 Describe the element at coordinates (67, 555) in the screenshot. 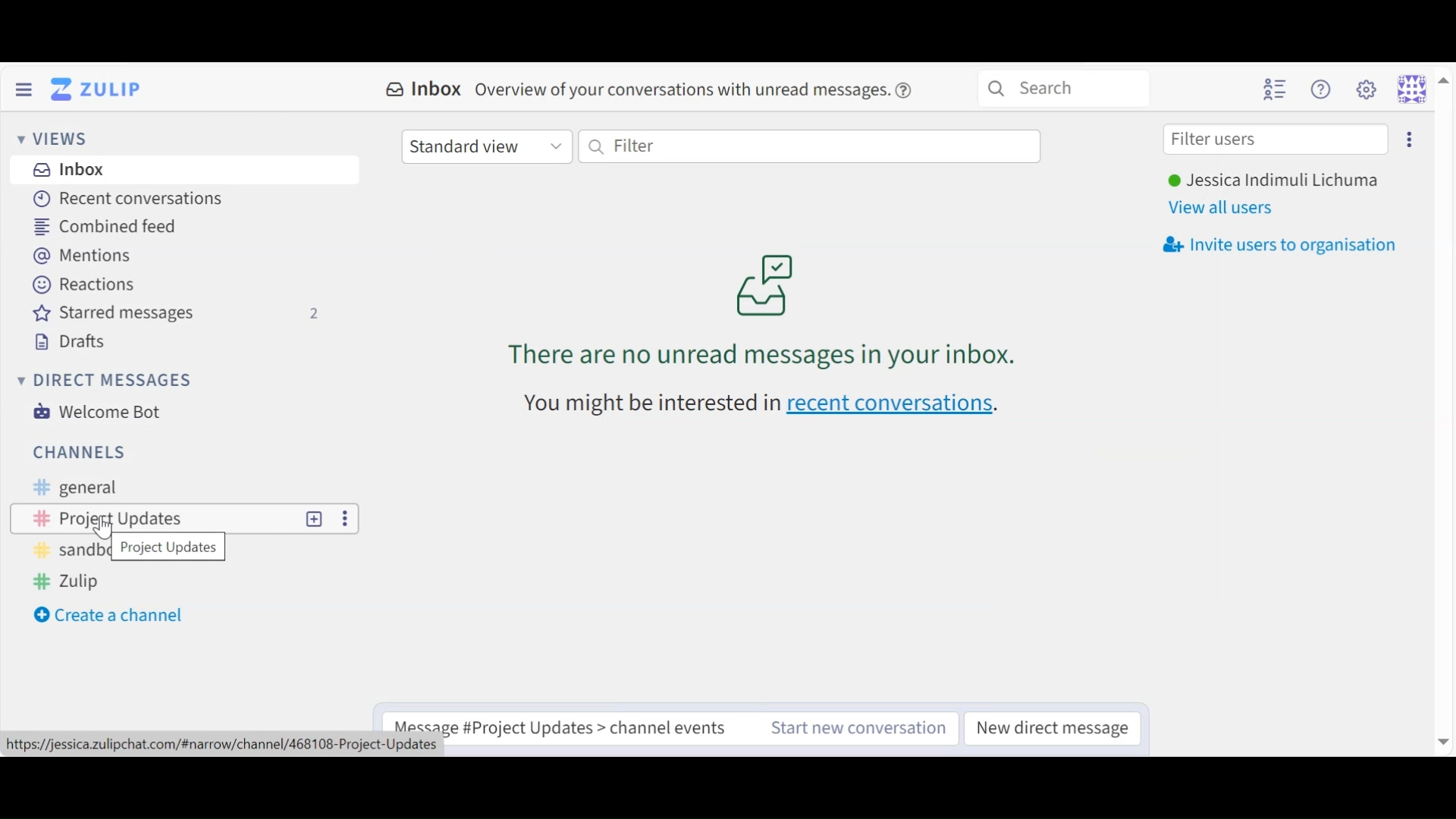

I see `Sandbox Channel` at that location.